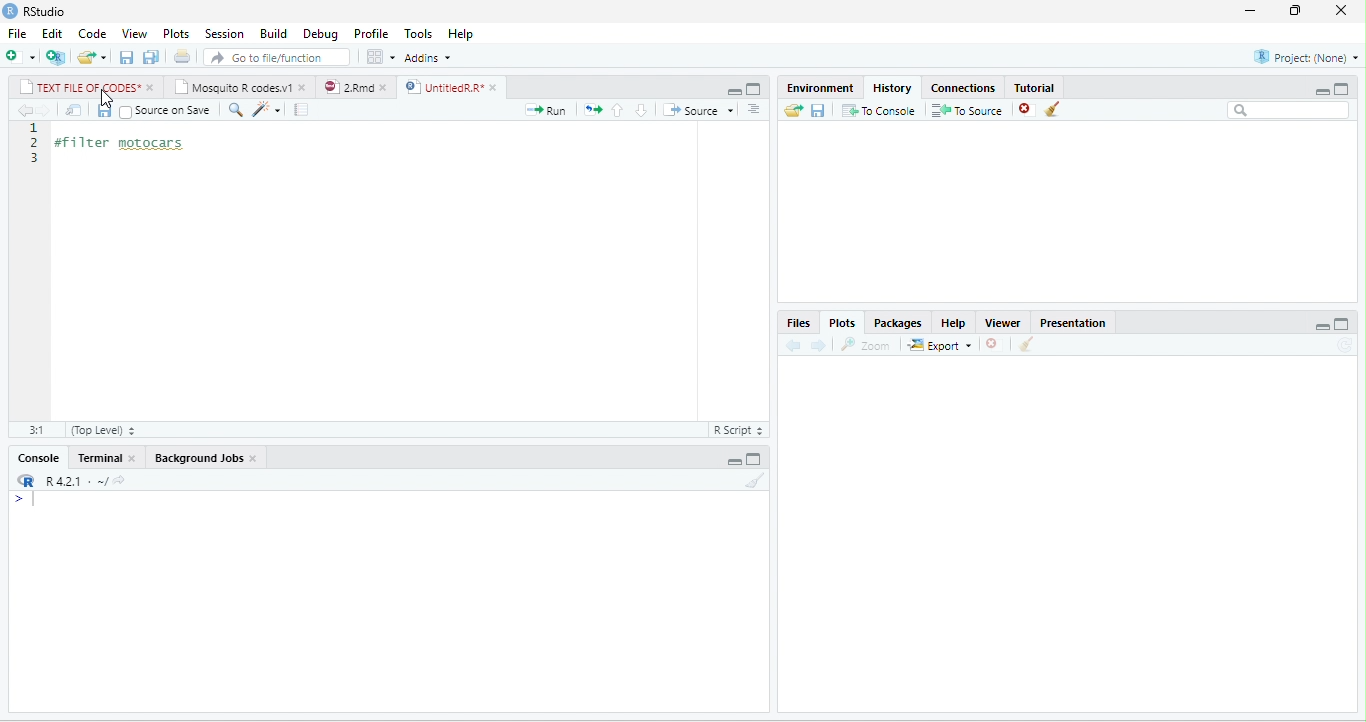 This screenshot has width=1366, height=722. What do you see at coordinates (879, 110) in the screenshot?
I see `To console` at bounding box center [879, 110].